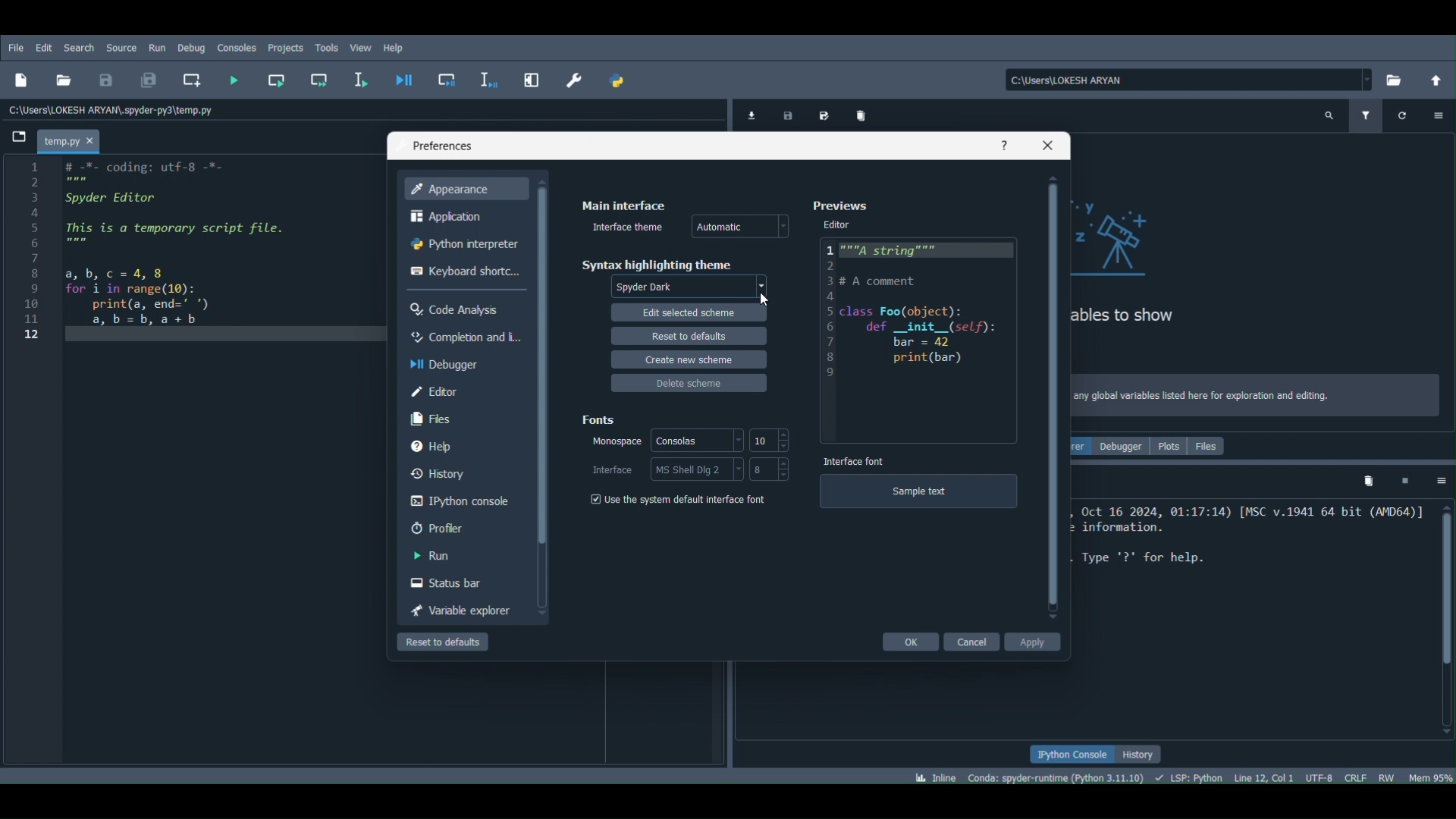  Describe the element at coordinates (1192, 777) in the screenshot. I see `Completions, linting , code folding and symbols` at that location.